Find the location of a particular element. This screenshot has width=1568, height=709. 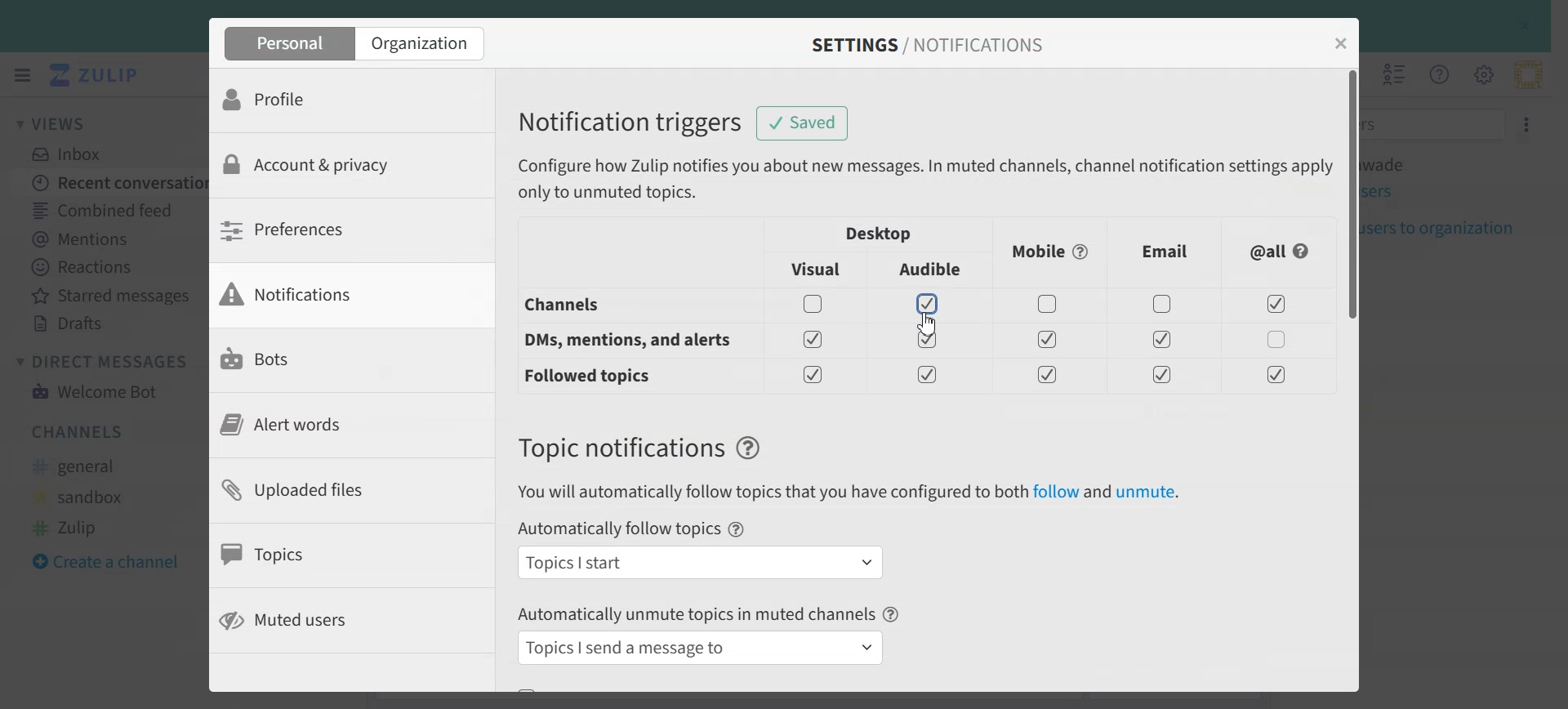

Bots is located at coordinates (332, 359).